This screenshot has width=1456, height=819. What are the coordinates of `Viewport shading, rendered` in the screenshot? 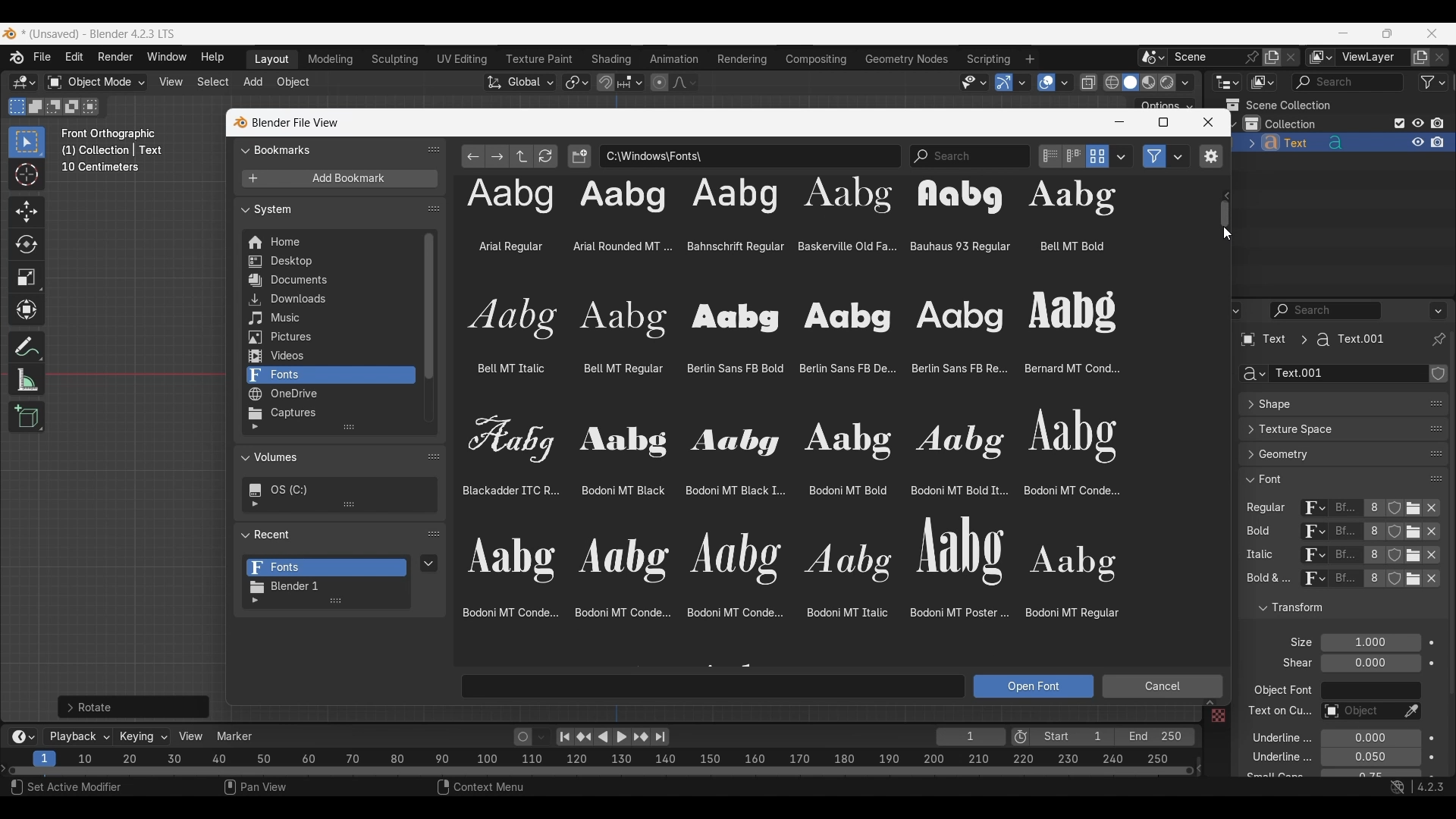 It's located at (1166, 82).